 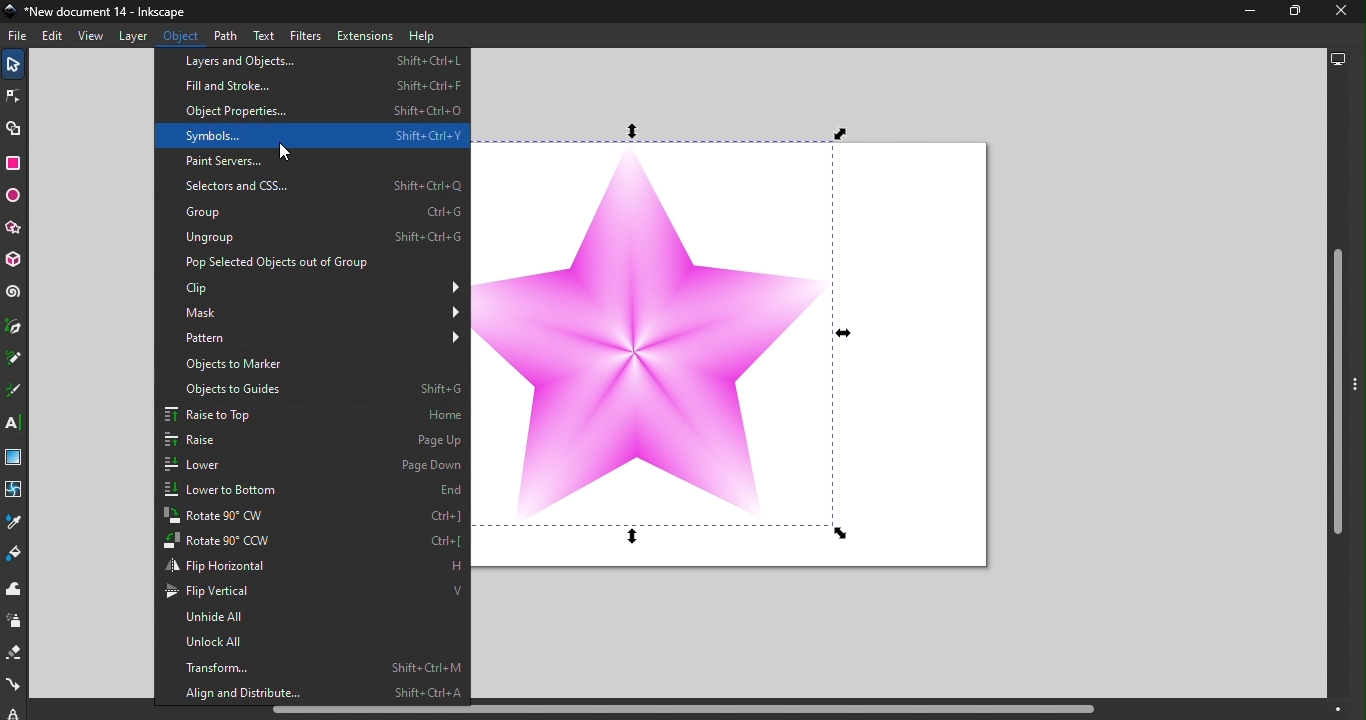 I want to click on Lower to bottom, so click(x=310, y=489).